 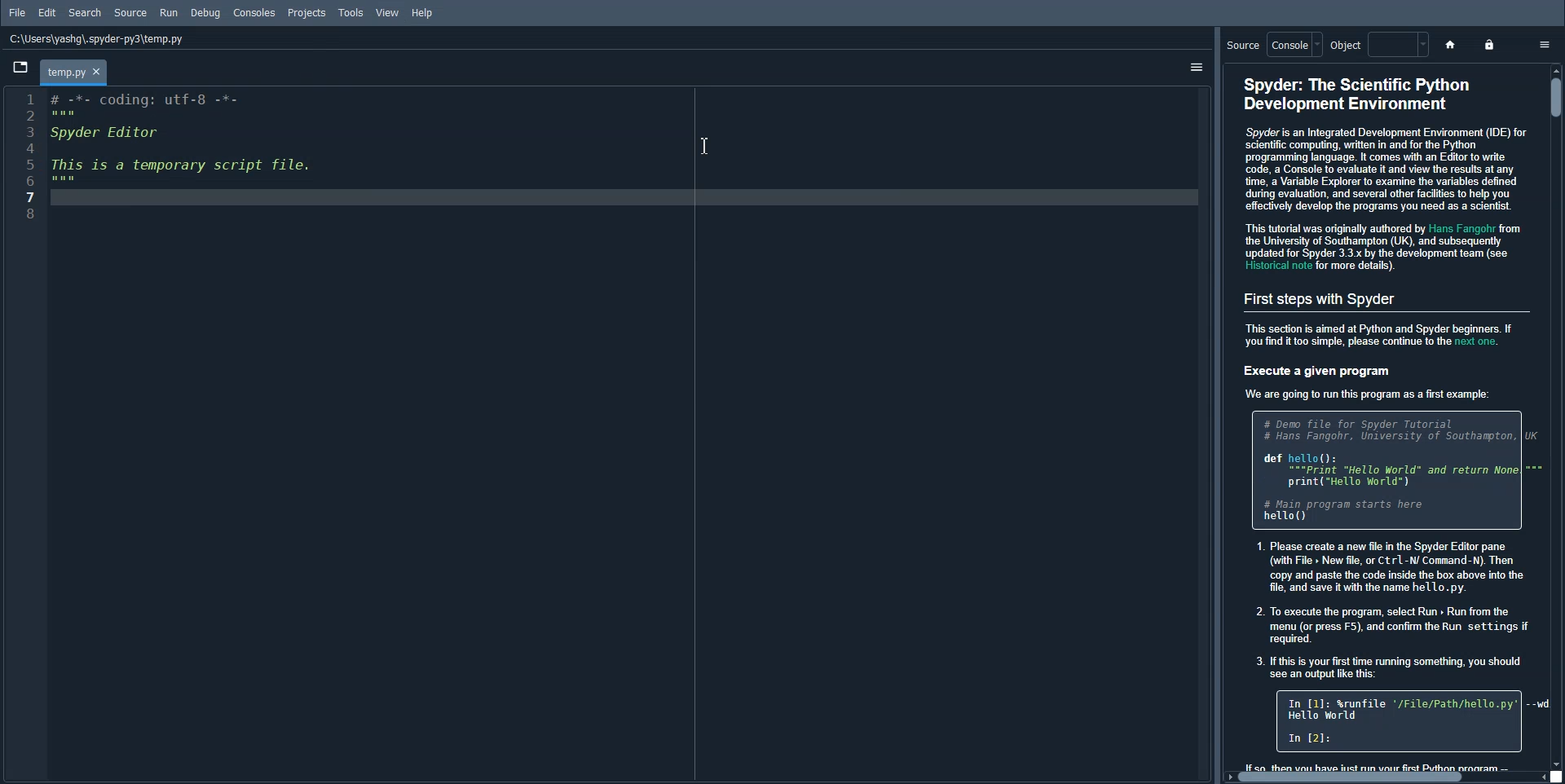 What do you see at coordinates (1188, 64) in the screenshot?
I see `options` at bounding box center [1188, 64].